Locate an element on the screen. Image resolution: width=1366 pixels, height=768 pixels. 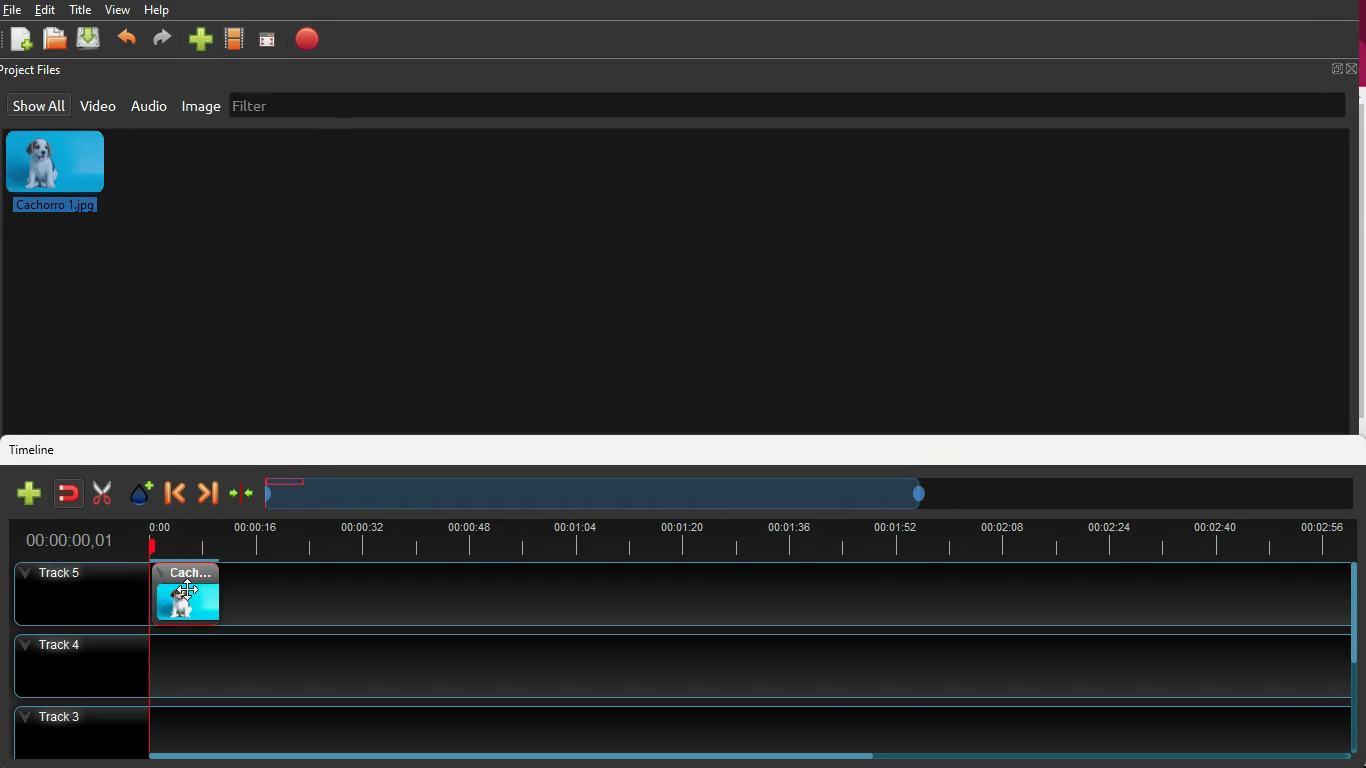
timeline is located at coordinates (36, 449).